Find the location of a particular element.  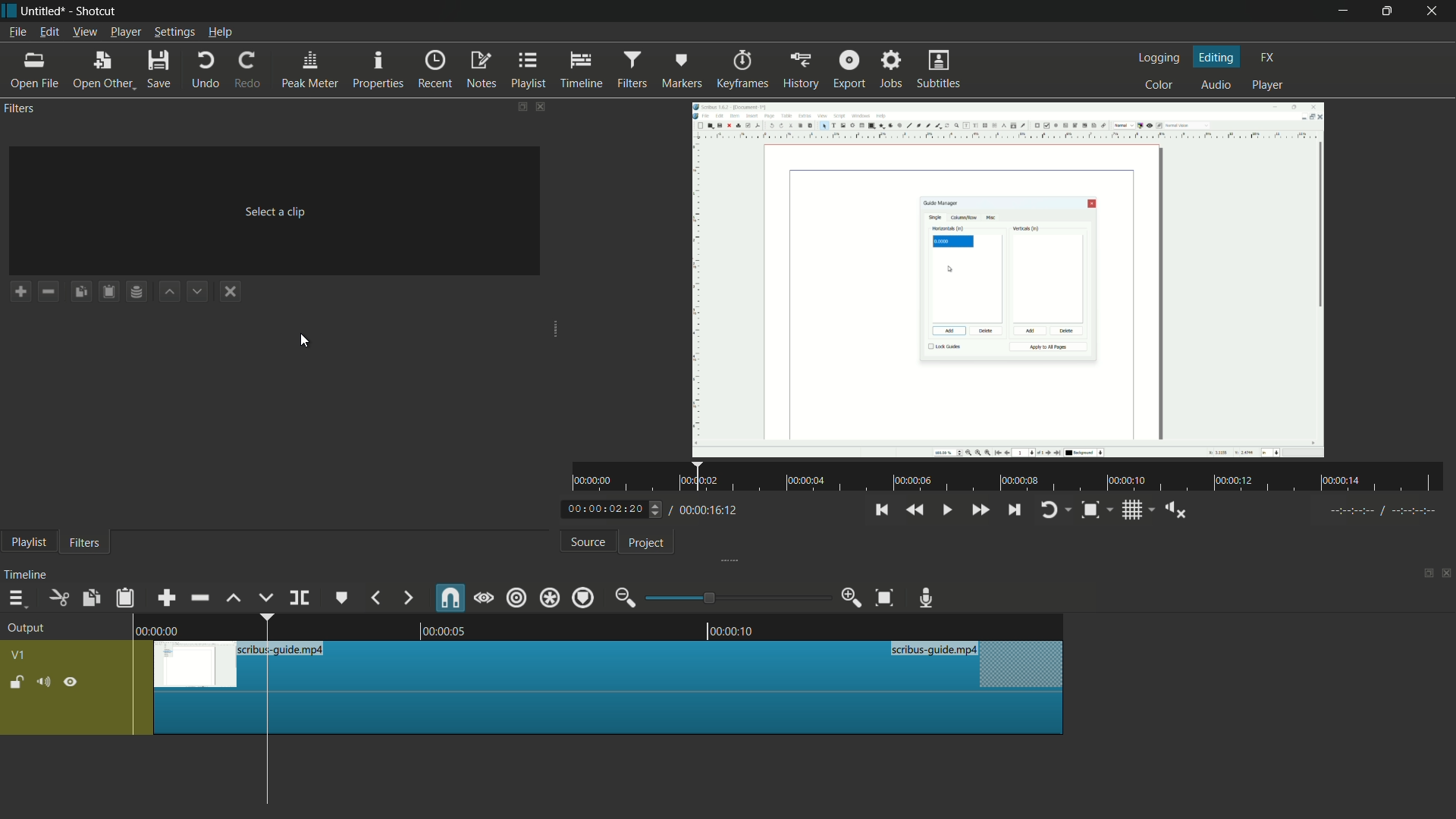

quickly play backward is located at coordinates (918, 510).